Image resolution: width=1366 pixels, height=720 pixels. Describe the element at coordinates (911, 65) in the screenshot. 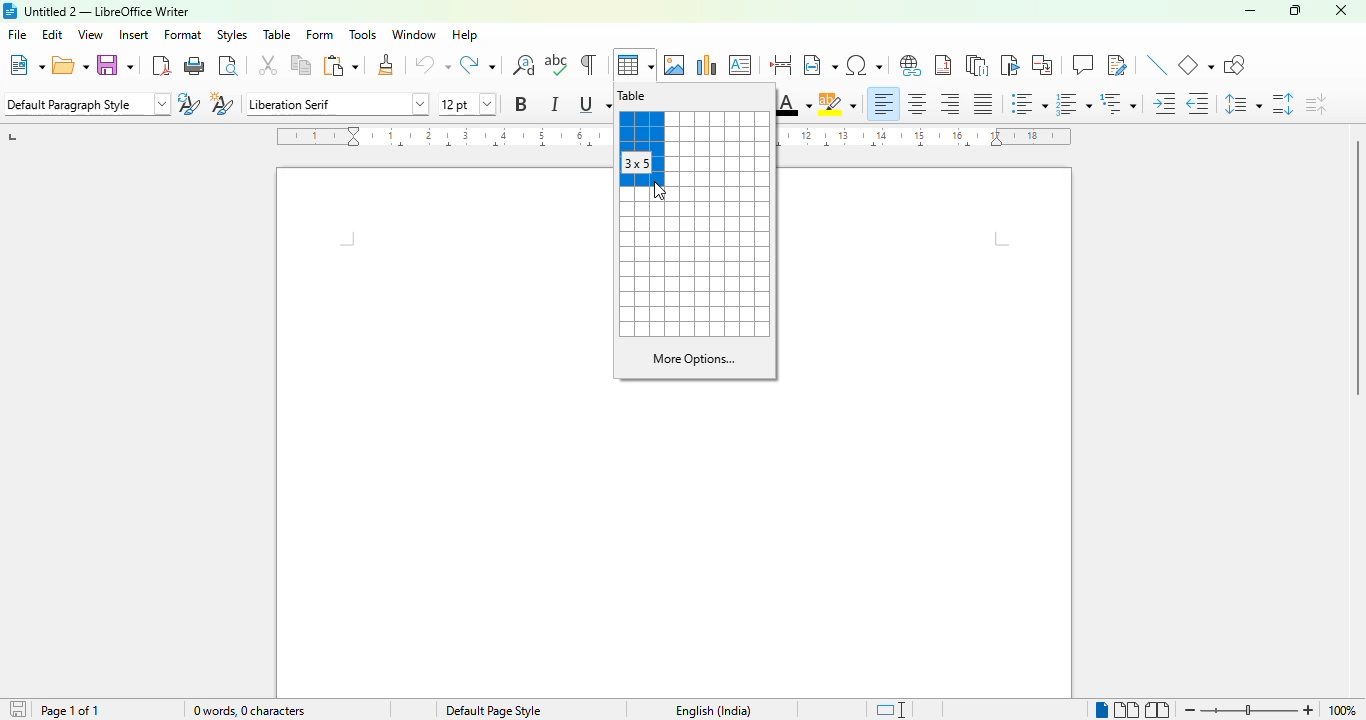

I see `insert hyperlink` at that location.